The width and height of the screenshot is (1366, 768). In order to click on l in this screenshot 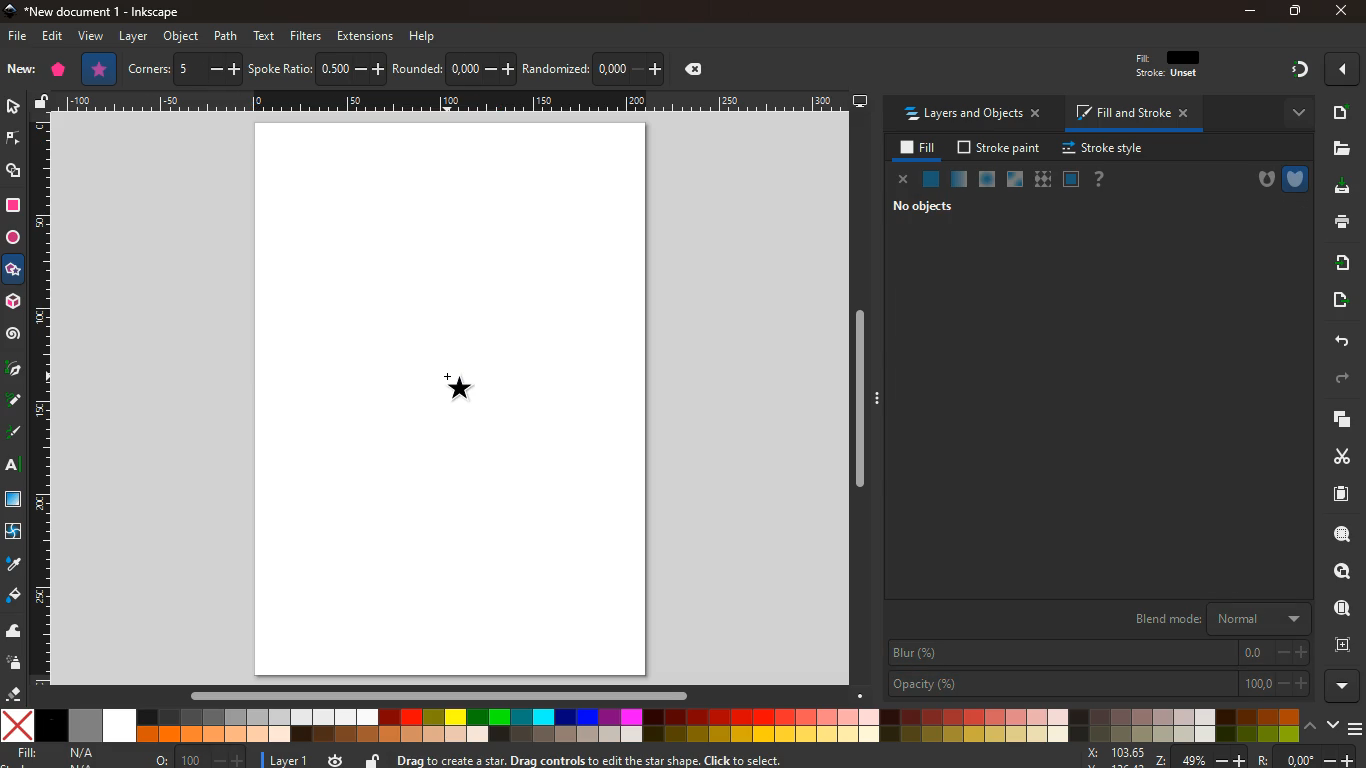, I will do `click(1098, 358)`.